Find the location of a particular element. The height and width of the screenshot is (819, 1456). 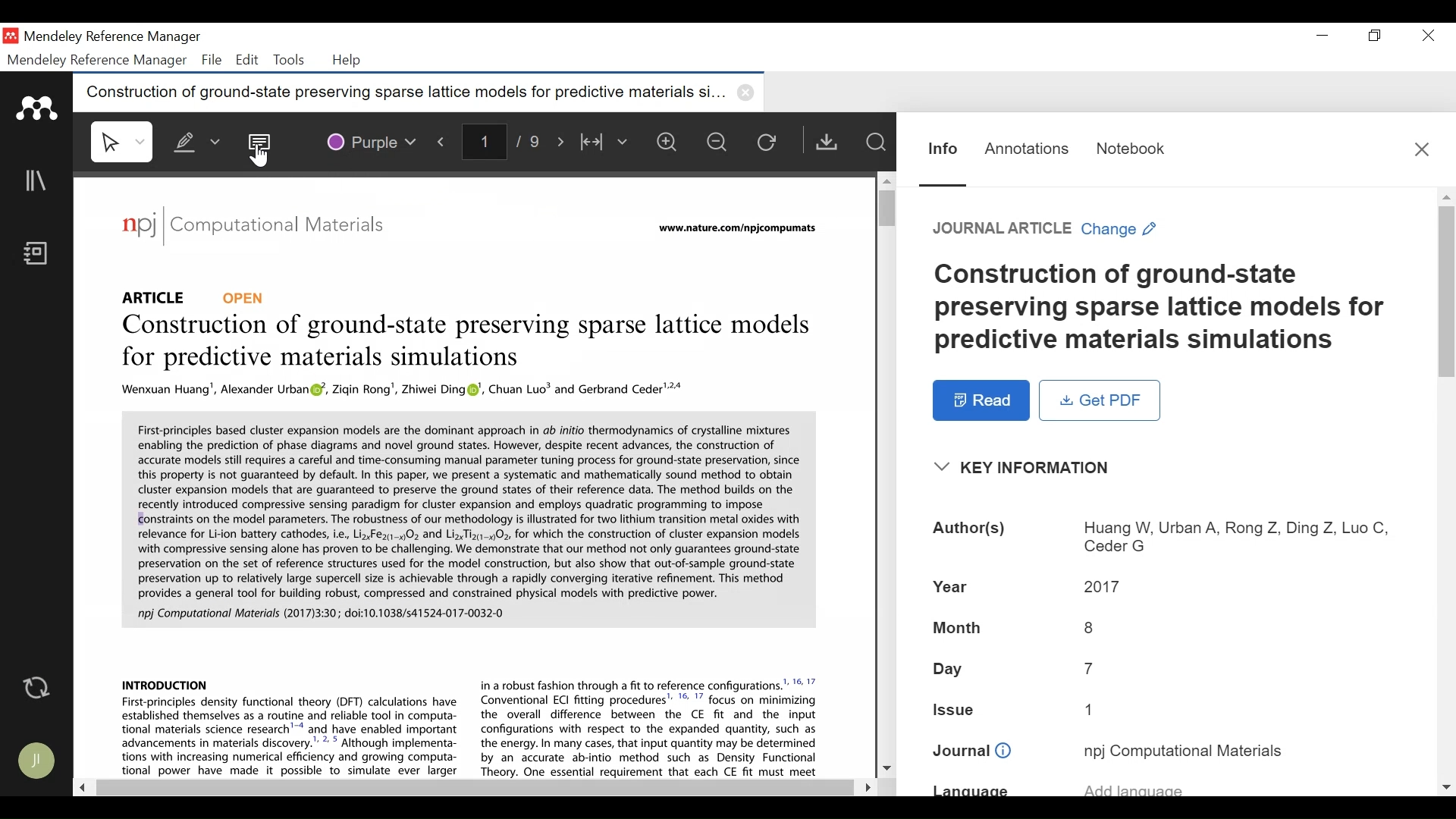

URL is located at coordinates (735, 230).